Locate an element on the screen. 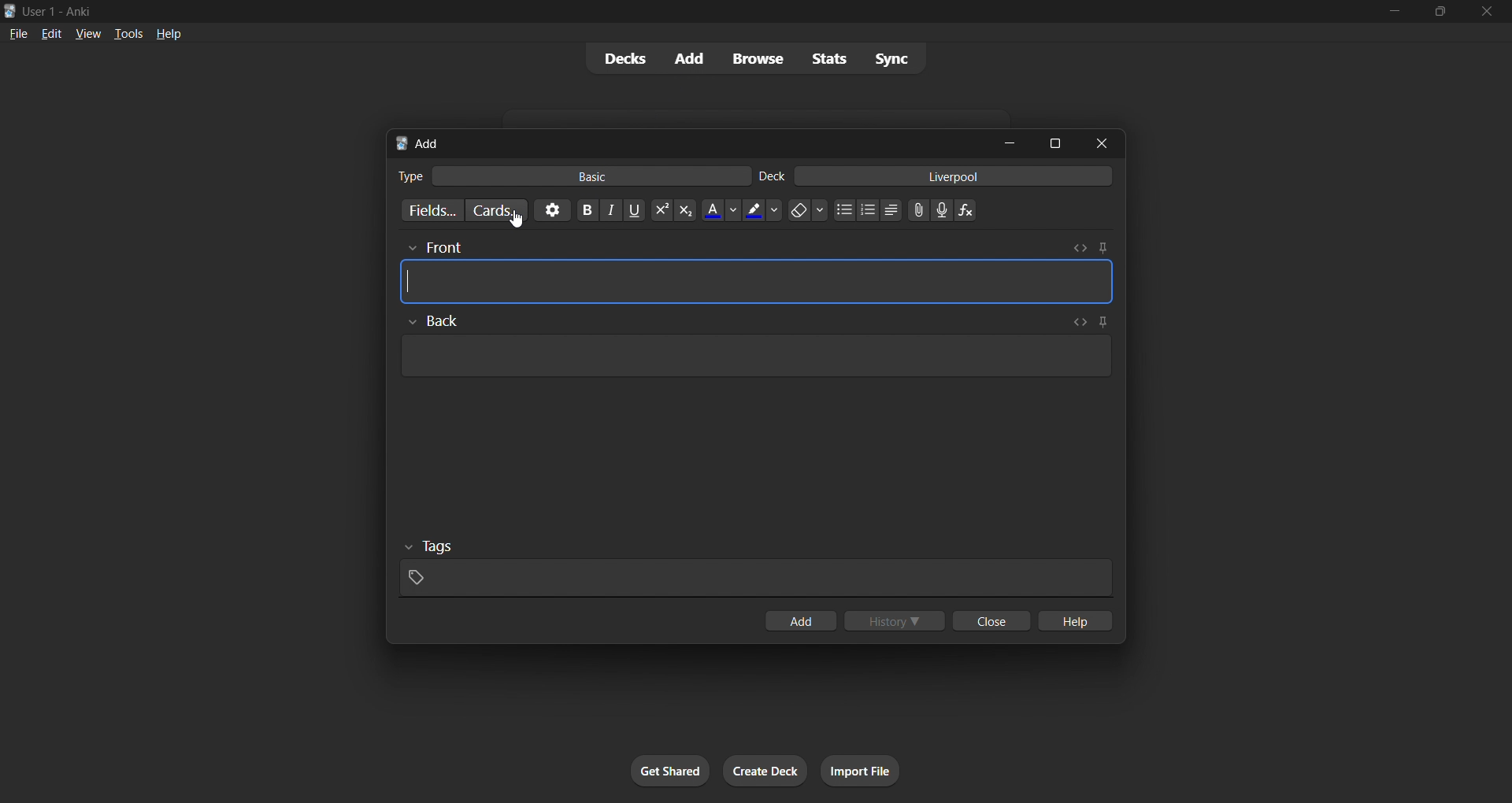 The image size is (1512, 803). maximize is located at coordinates (1054, 145).